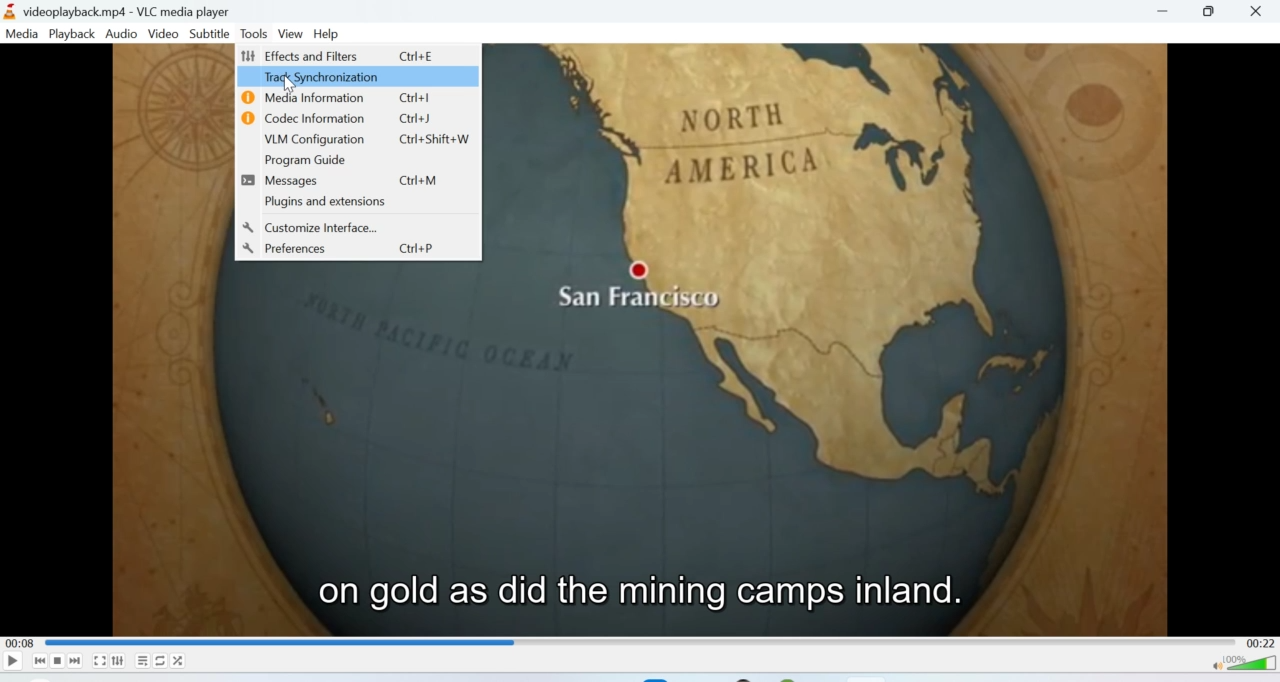  I want to click on Close, so click(1258, 11).